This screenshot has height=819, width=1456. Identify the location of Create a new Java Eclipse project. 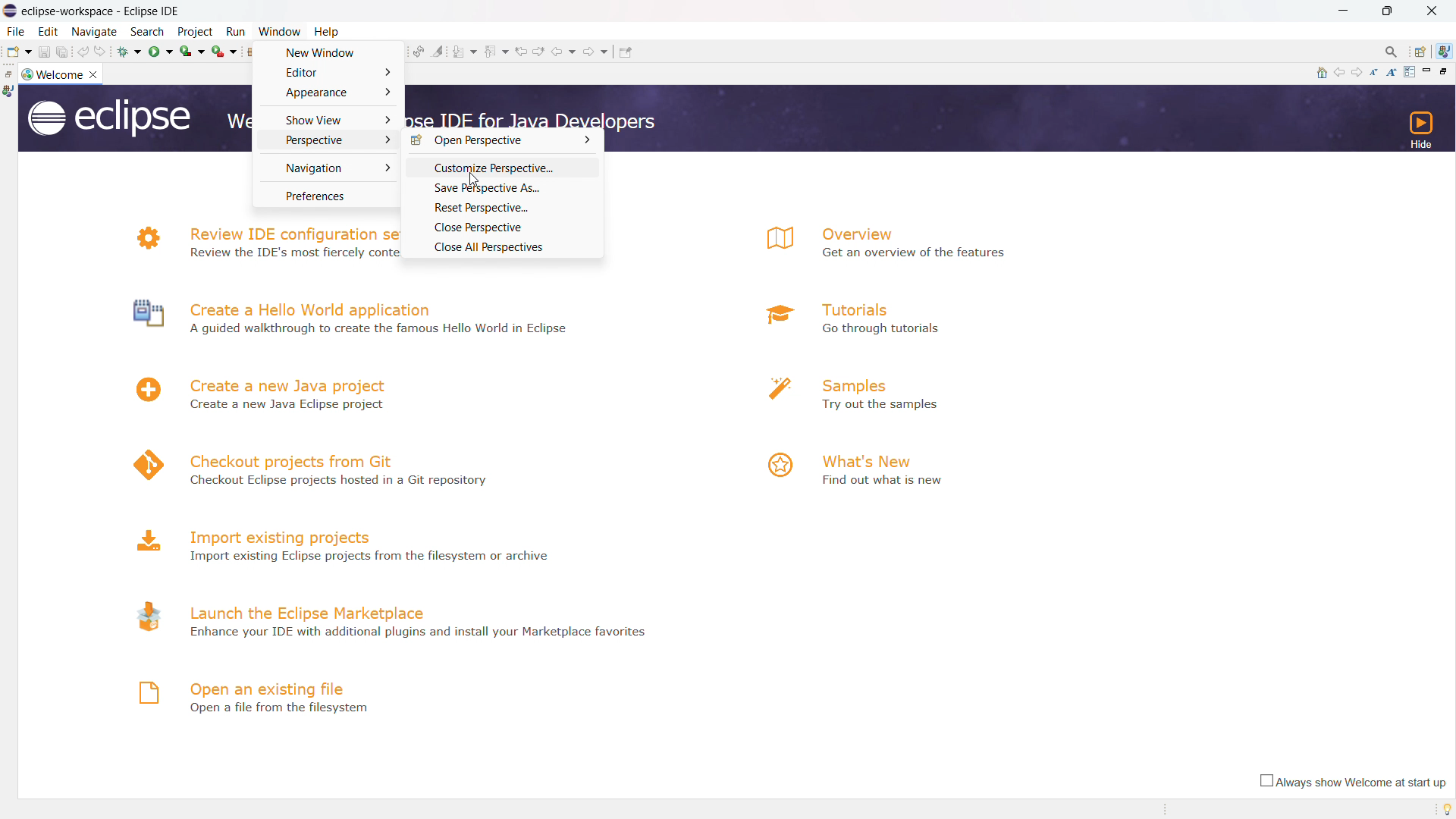
(287, 405).